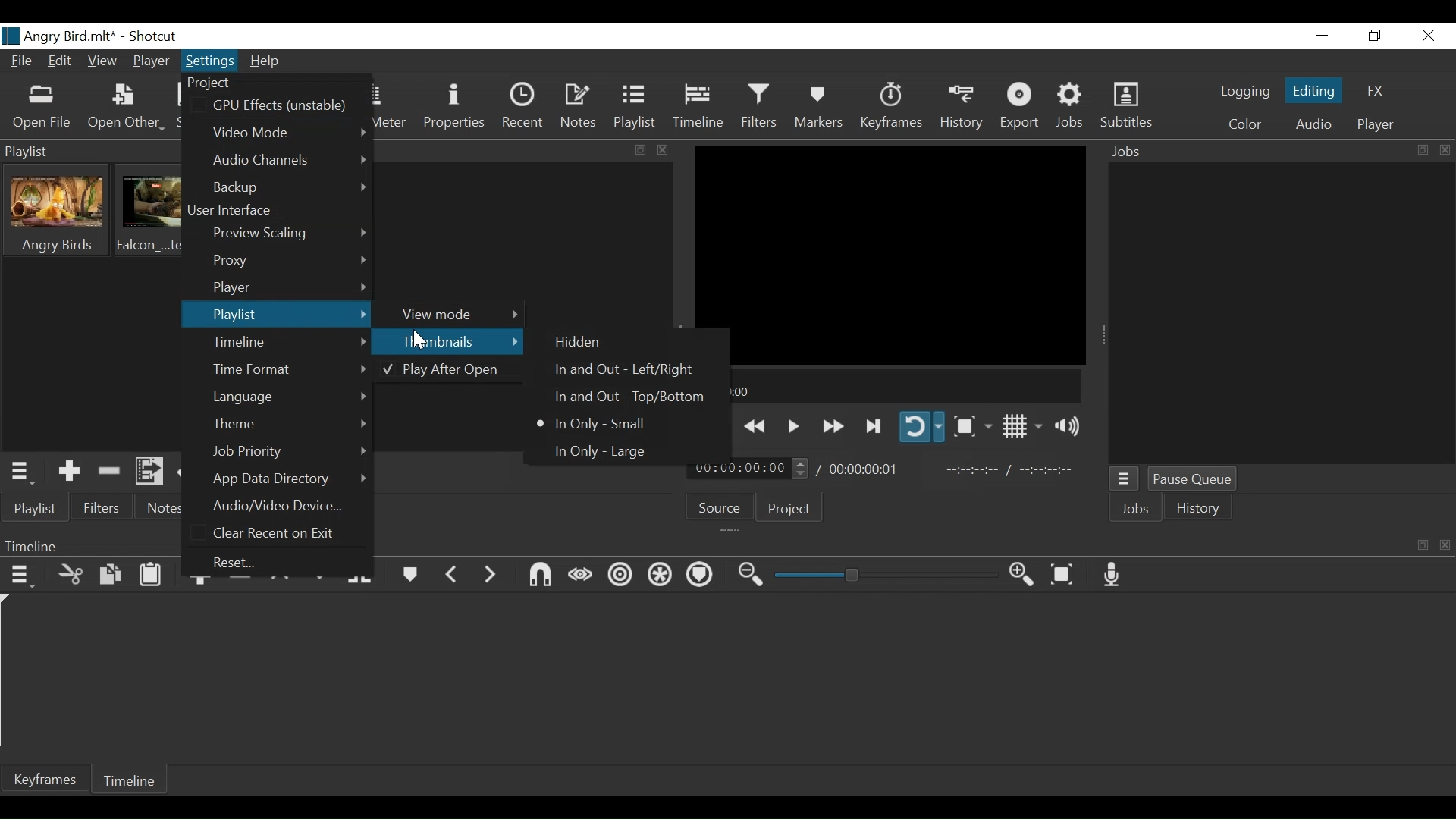 The height and width of the screenshot is (819, 1456). Describe the element at coordinates (266, 63) in the screenshot. I see `Help` at that location.